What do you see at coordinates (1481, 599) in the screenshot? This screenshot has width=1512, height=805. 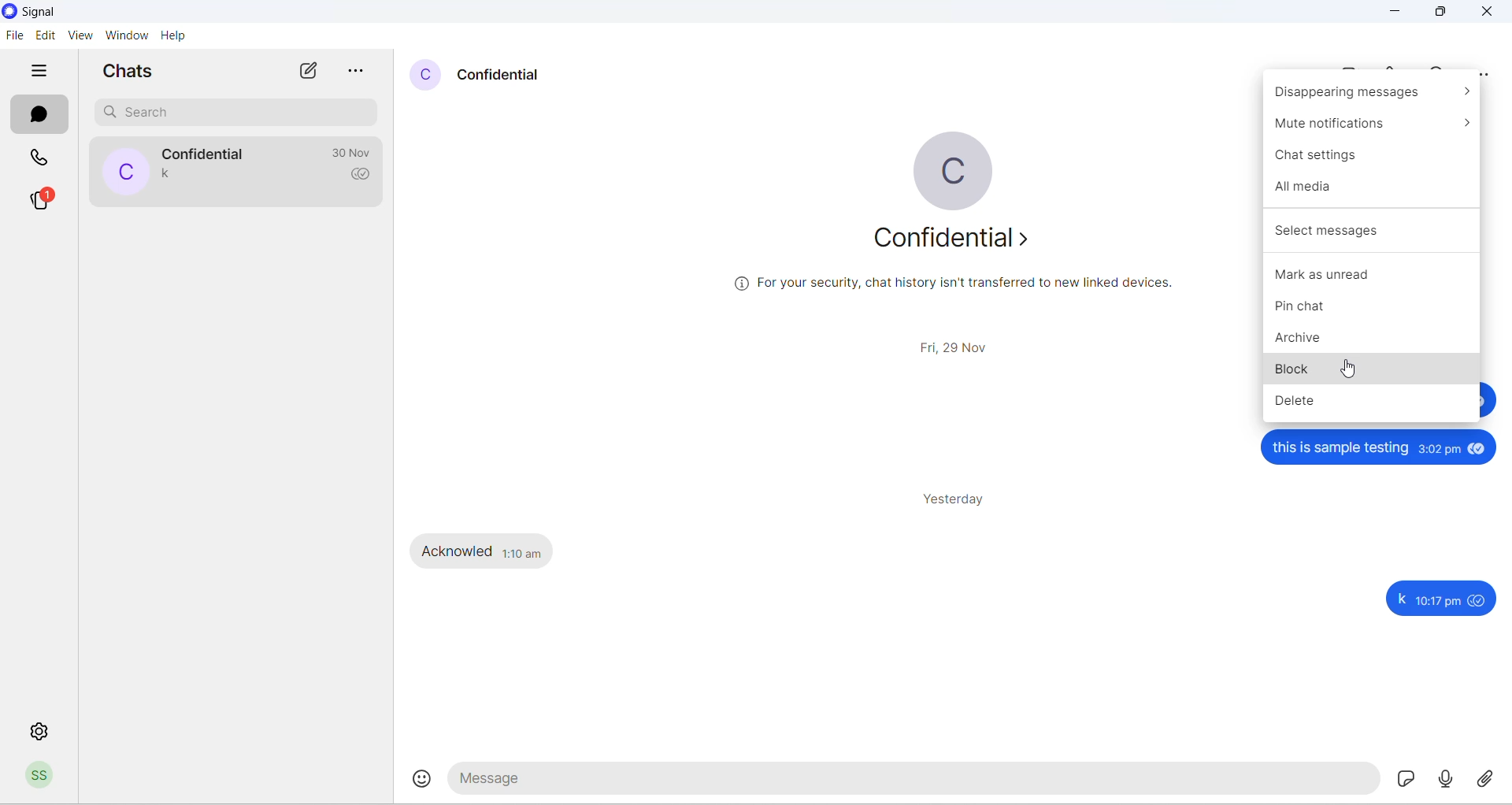 I see `seen` at bounding box center [1481, 599].